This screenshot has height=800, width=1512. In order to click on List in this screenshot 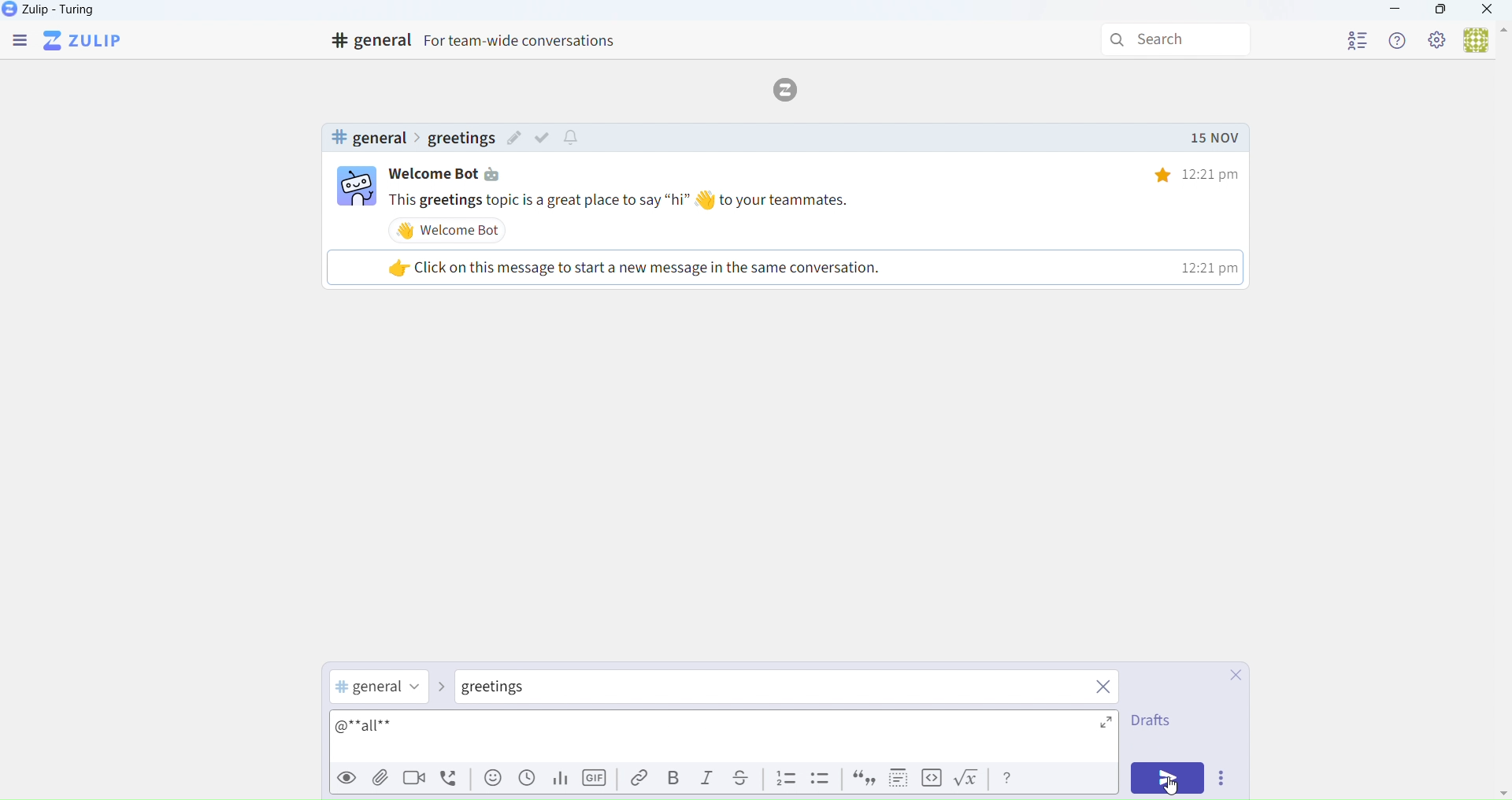, I will do `click(786, 779)`.